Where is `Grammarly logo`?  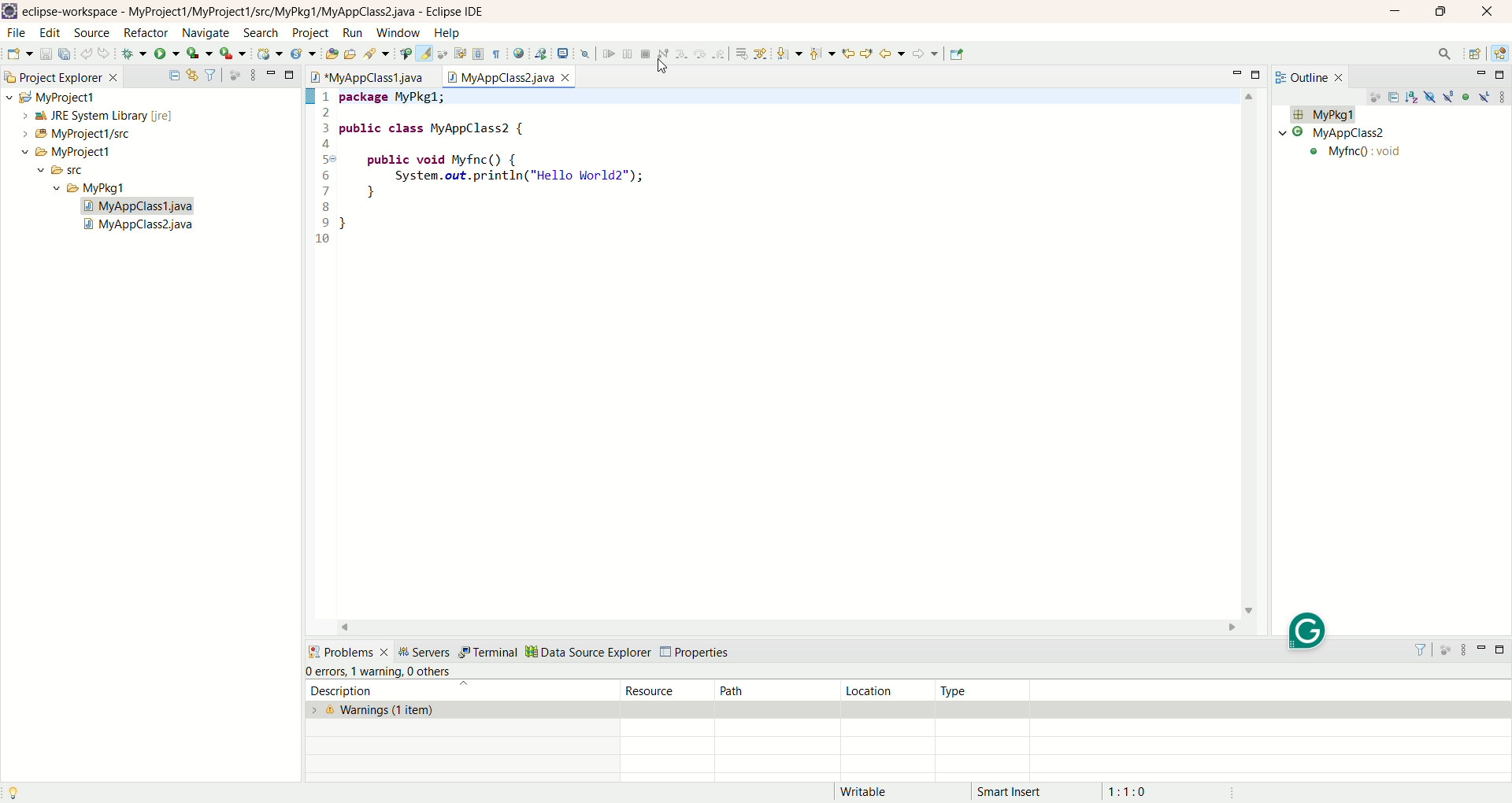
Grammarly logo is located at coordinates (1311, 631).